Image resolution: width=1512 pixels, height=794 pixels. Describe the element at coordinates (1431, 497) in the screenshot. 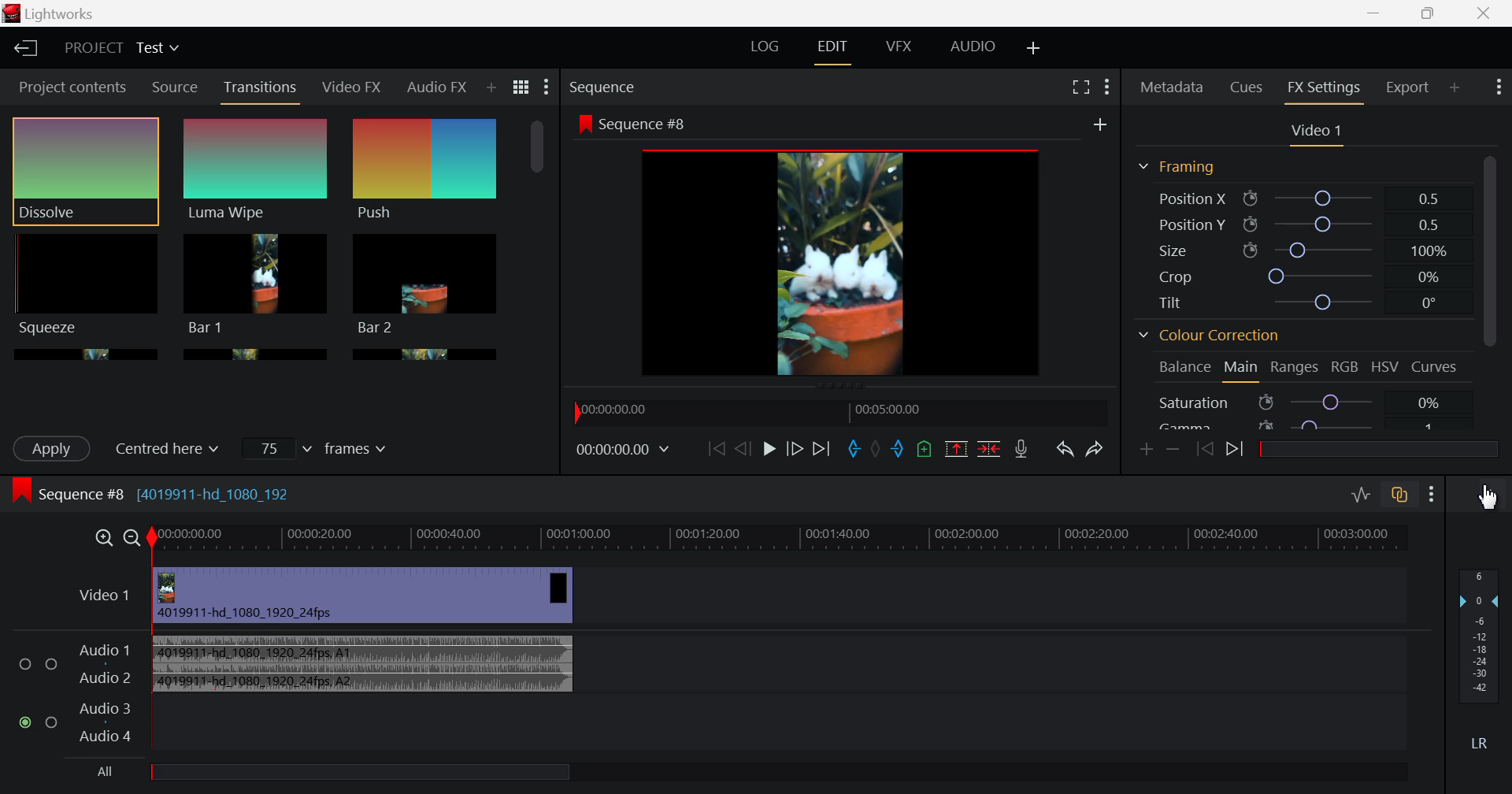

I see `Show Settings` at that location.